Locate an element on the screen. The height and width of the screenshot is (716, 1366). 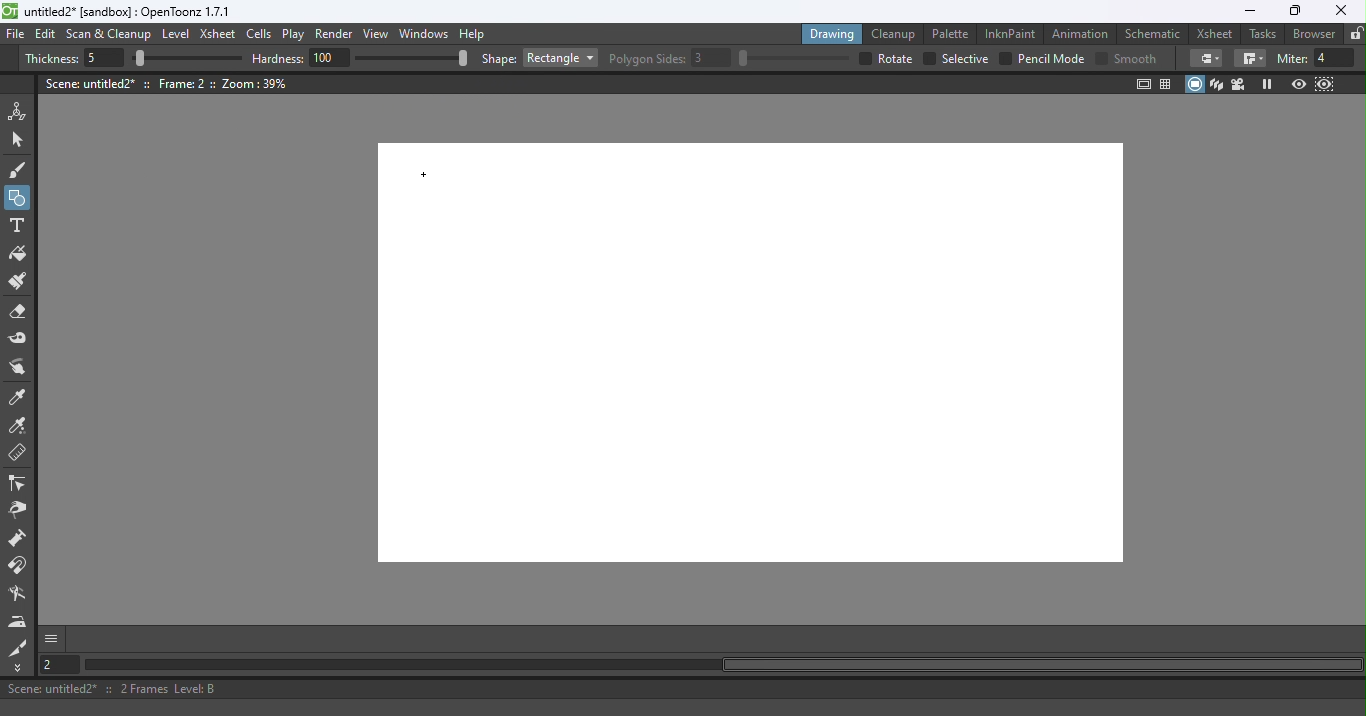
over all is located at coordinates (897, 58).